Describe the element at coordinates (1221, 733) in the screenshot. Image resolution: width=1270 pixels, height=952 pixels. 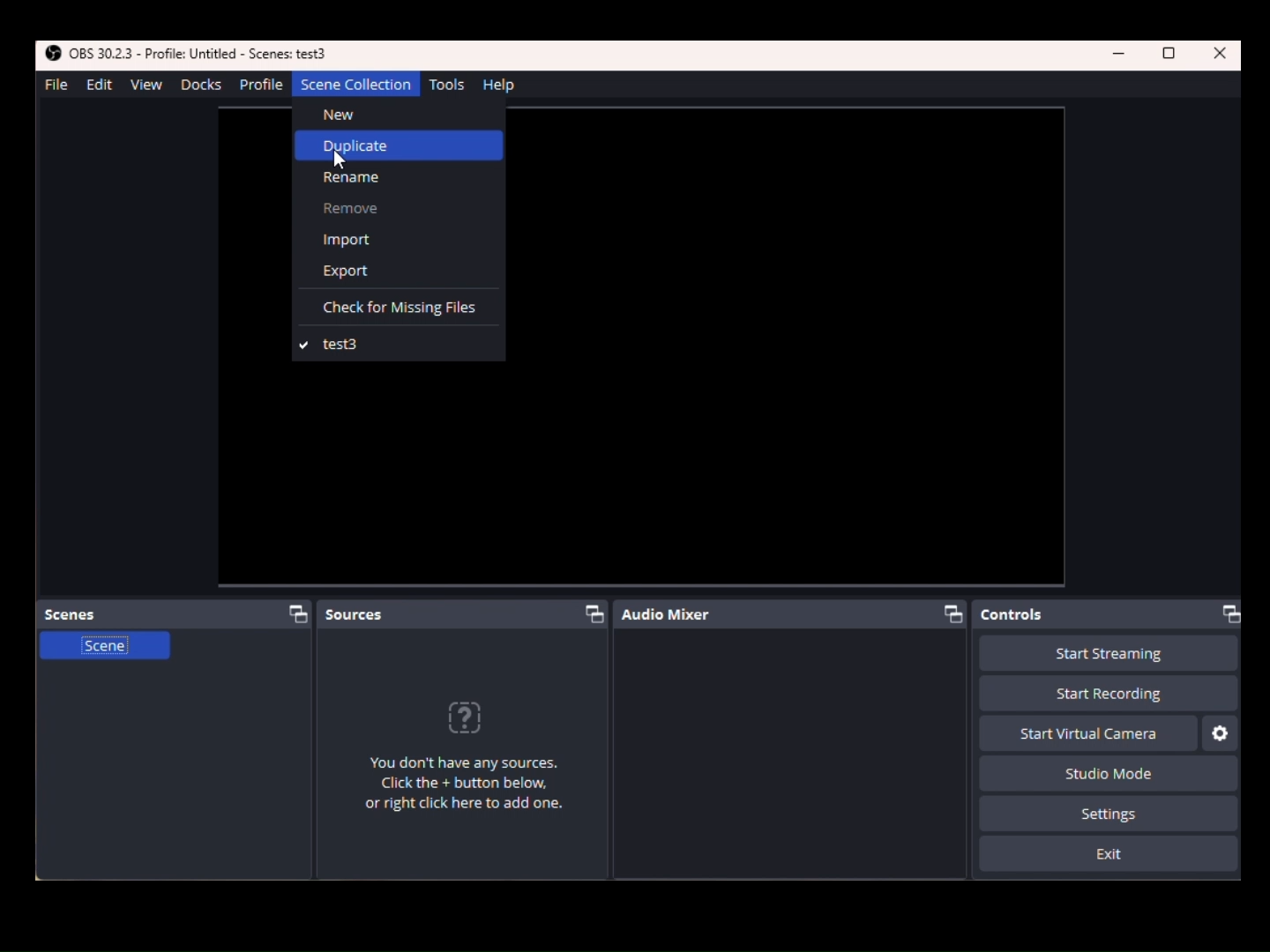
I see `Settings` at that location.